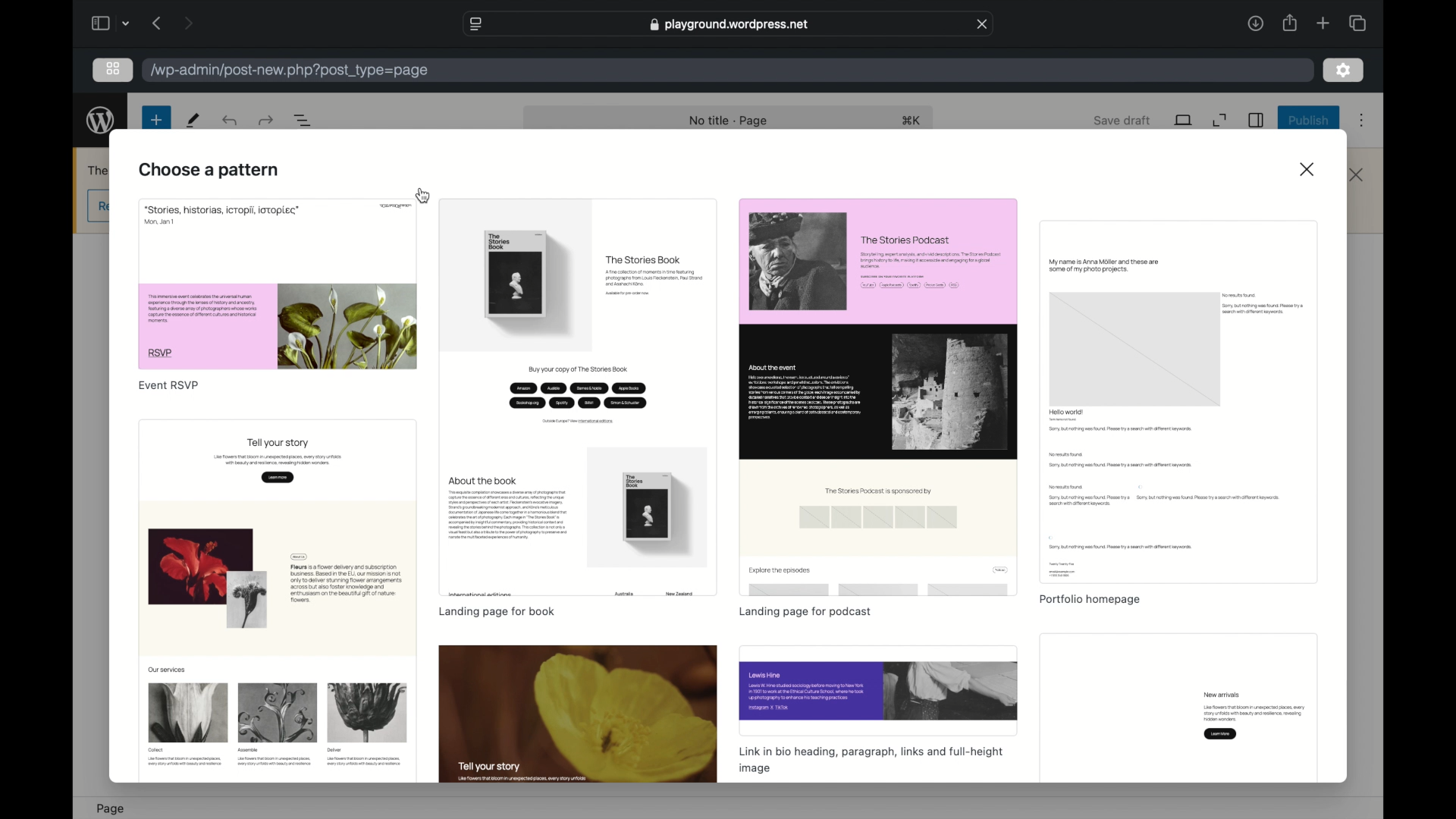 The width and height of the screenshot is (1456, 819). Describe the element at coordinates (273, 598) in the screenshot. I see `preview` at that location.